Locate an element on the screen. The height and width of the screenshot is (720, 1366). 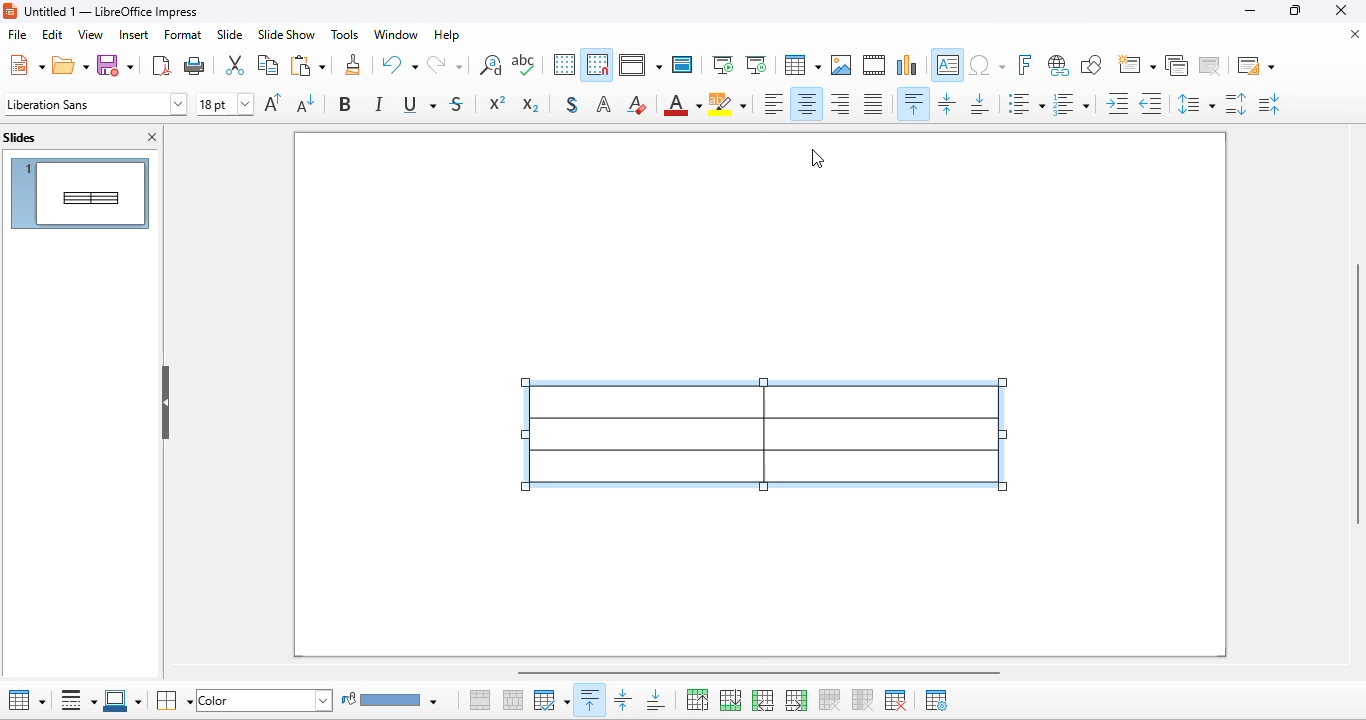
window is located at coordinates (397, 35).